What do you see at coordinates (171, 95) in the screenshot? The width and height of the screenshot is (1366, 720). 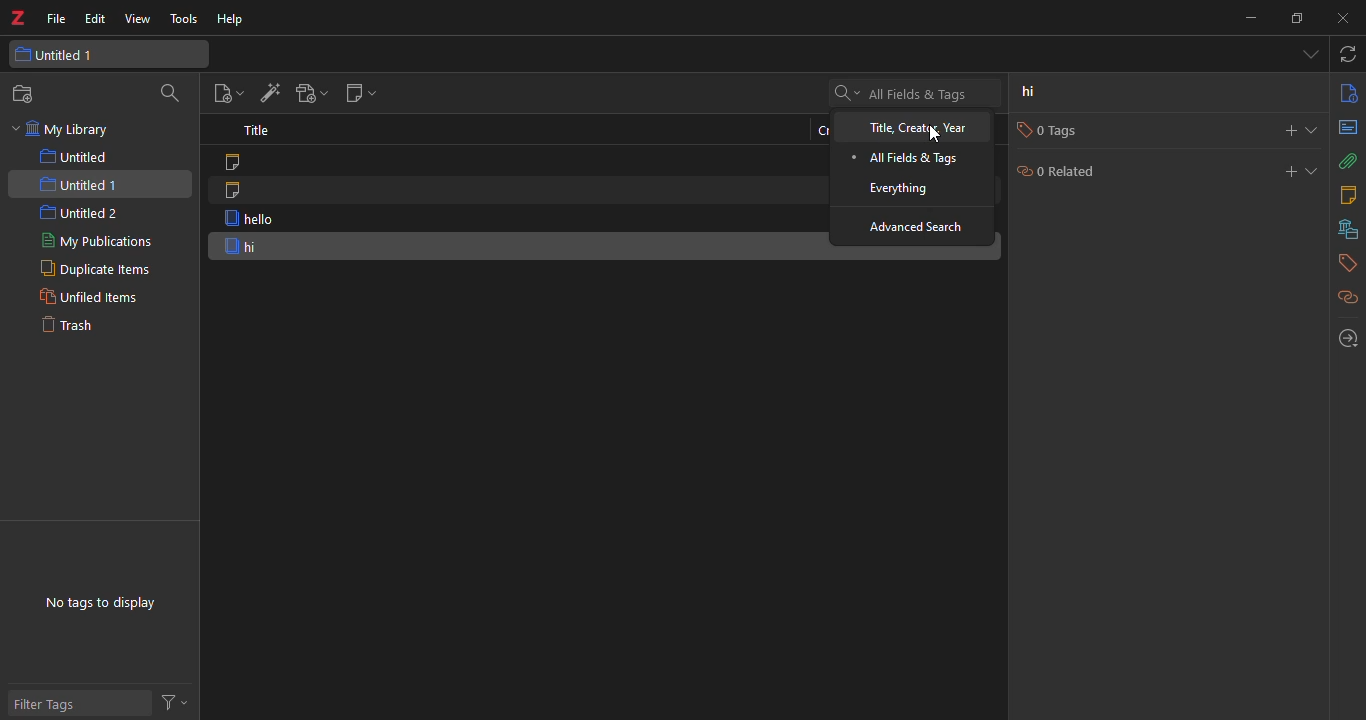 I see `search` at bounding box center [171, 95].